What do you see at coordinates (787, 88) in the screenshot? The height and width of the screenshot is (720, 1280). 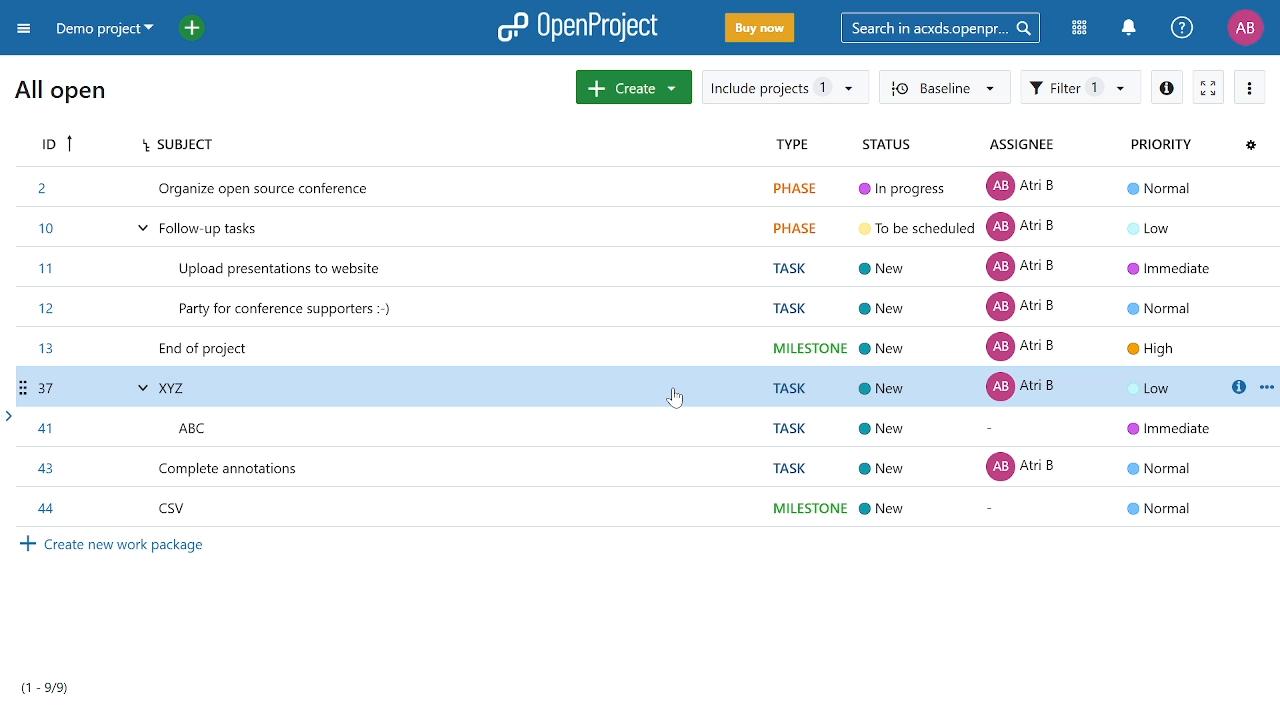 I see `Include projects` at bounding box center [787, 88].